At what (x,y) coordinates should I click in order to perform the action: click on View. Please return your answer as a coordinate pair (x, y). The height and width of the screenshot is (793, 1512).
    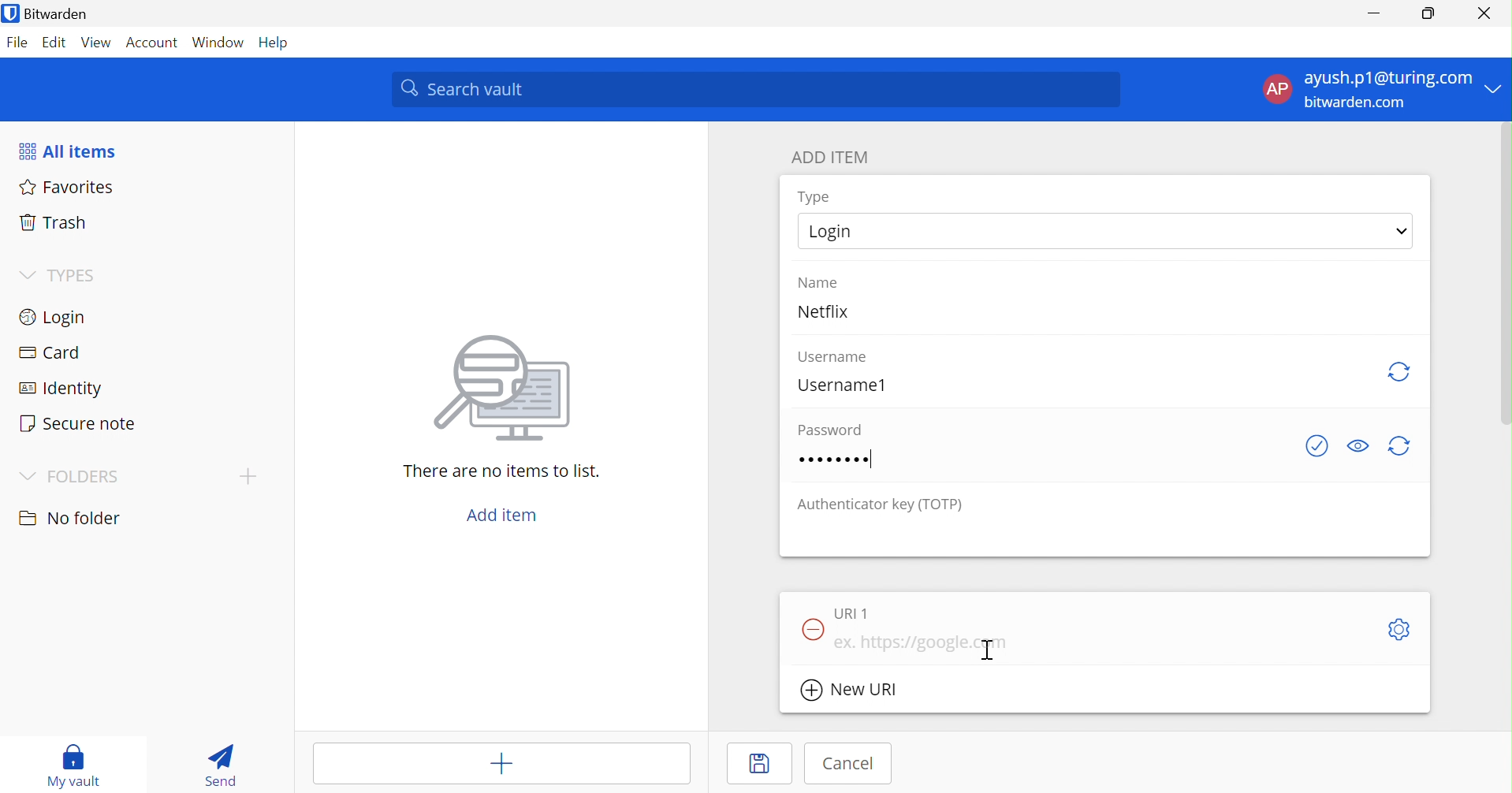
    Looking at the image, I should click on (96, 43).